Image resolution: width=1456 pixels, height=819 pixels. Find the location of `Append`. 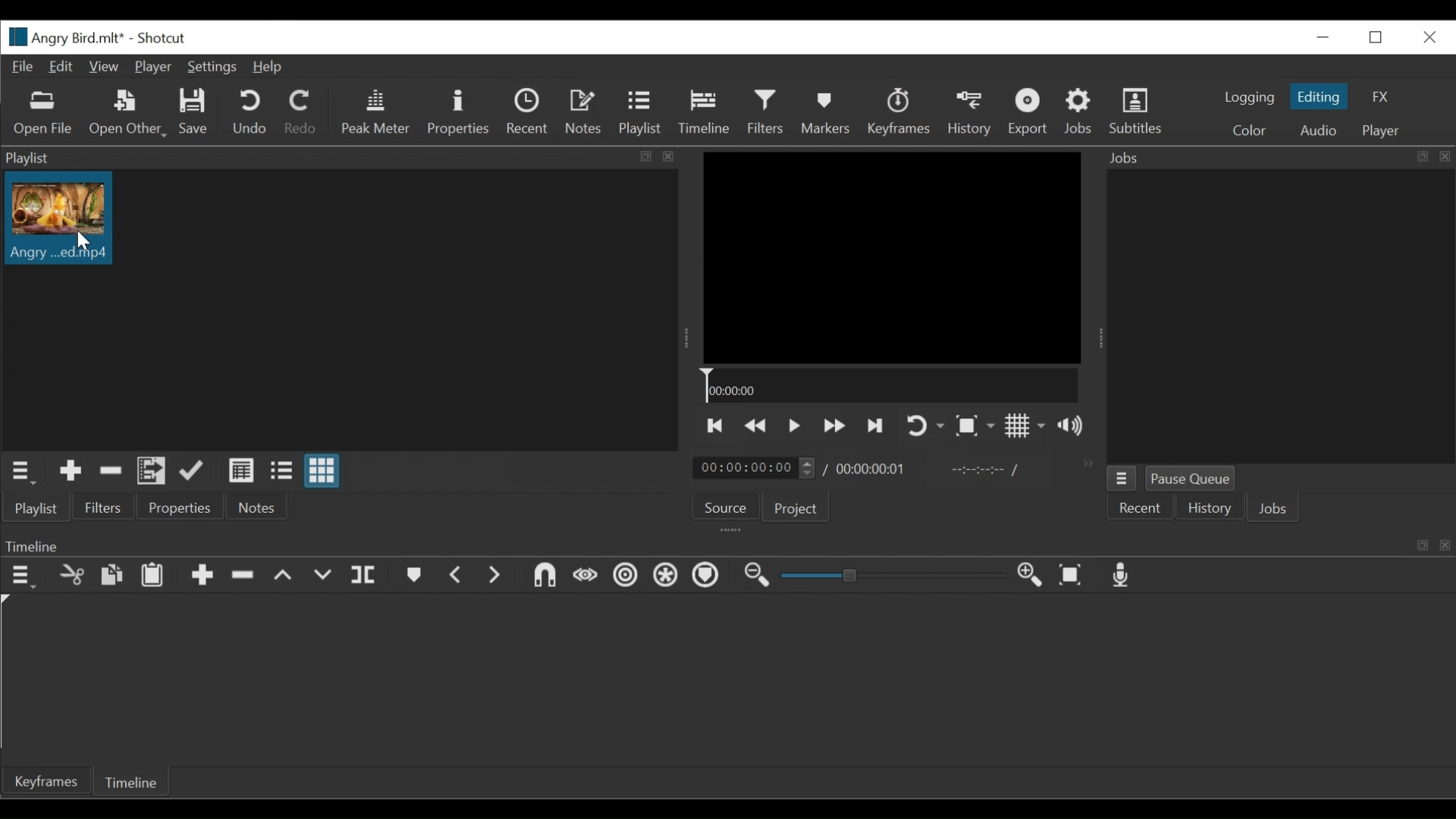

Append is located at coordinates (204, 575).